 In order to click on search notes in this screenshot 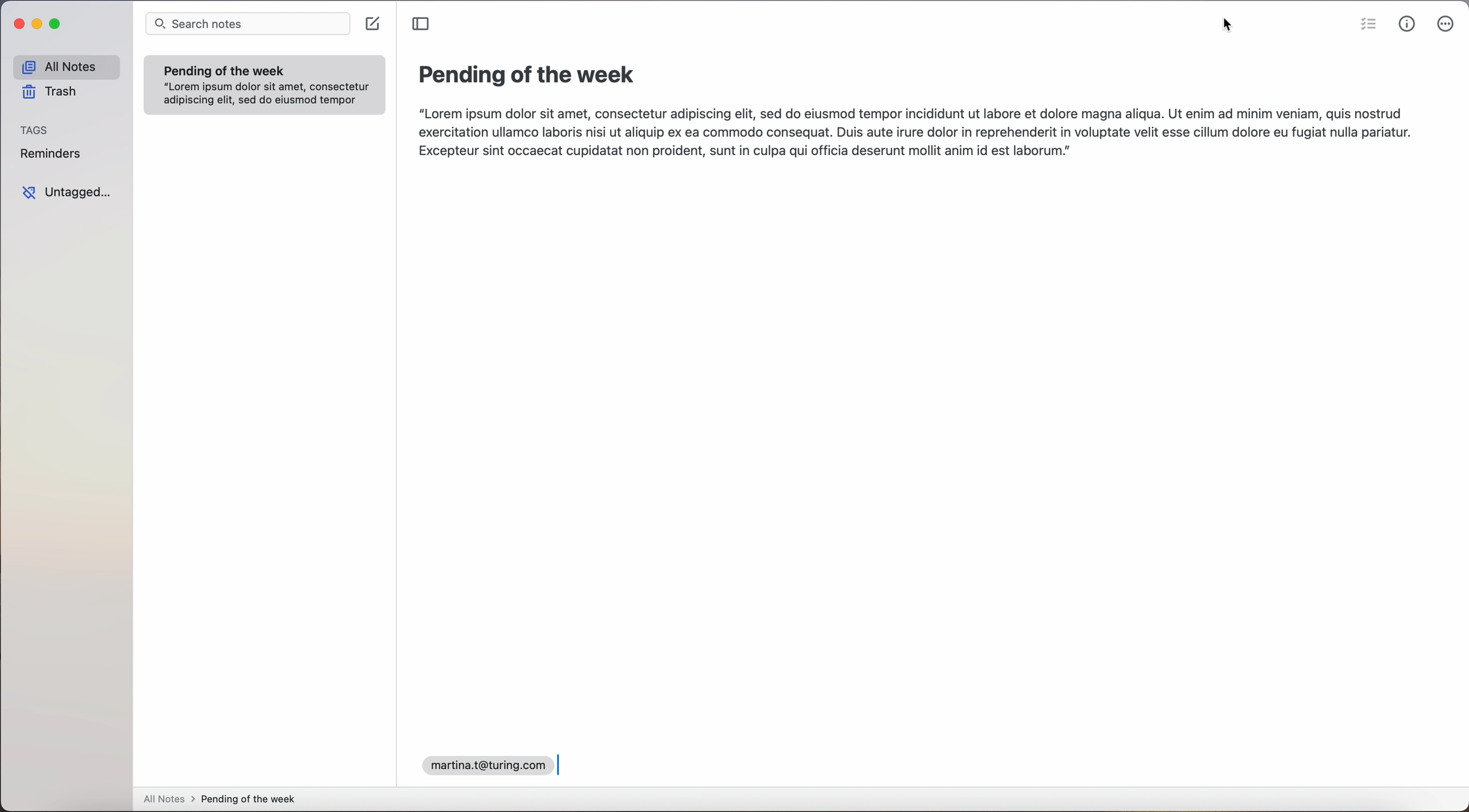, I will do `click(249, 23)`.